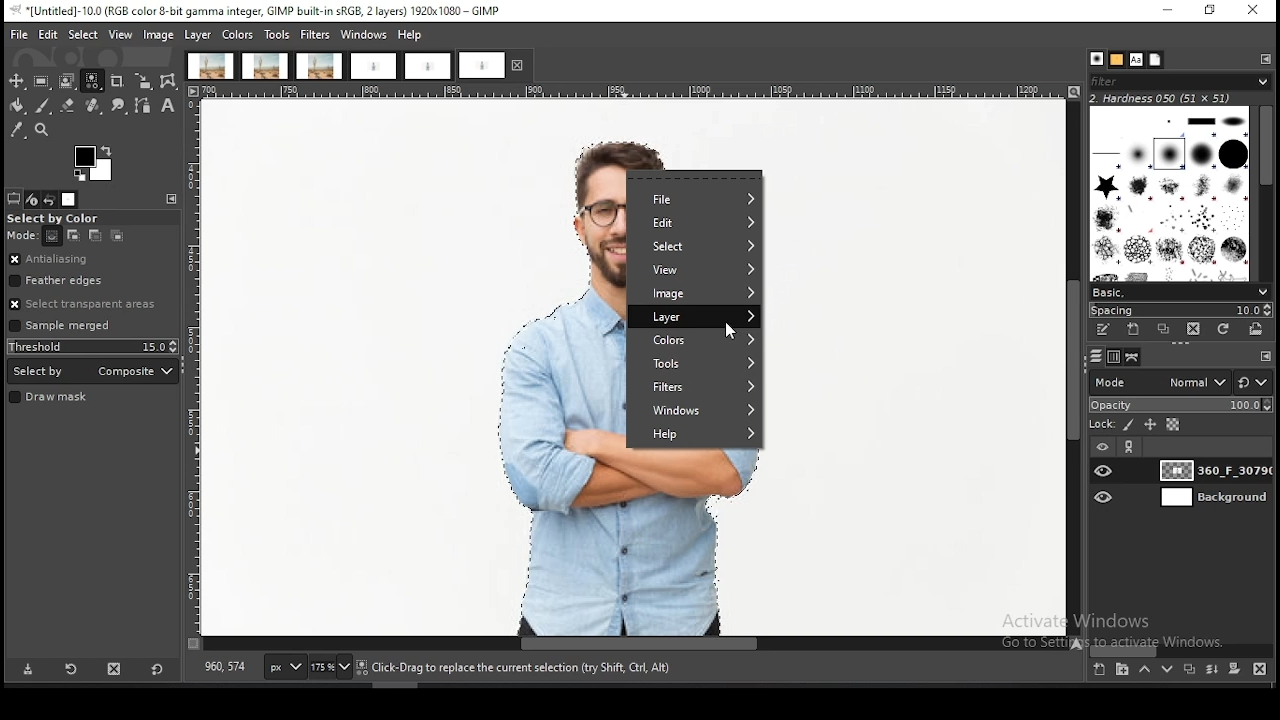  Describe the element at coordinates (1263, 671) in the screenshot. I see `delete layer` at that location.